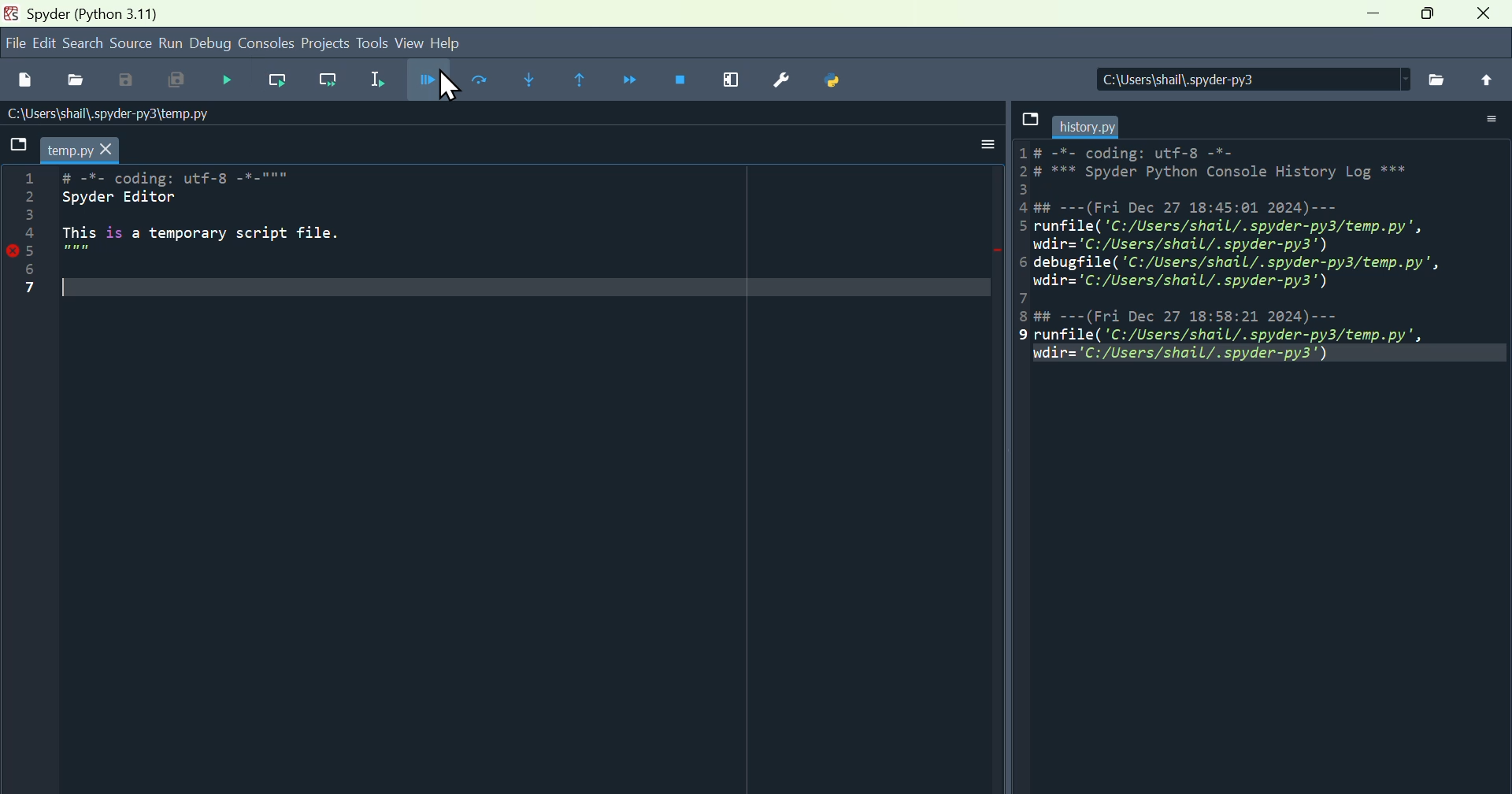 The width and height of the screenshot is (1512, 794). I want to click on Save as, so click(128, 83).